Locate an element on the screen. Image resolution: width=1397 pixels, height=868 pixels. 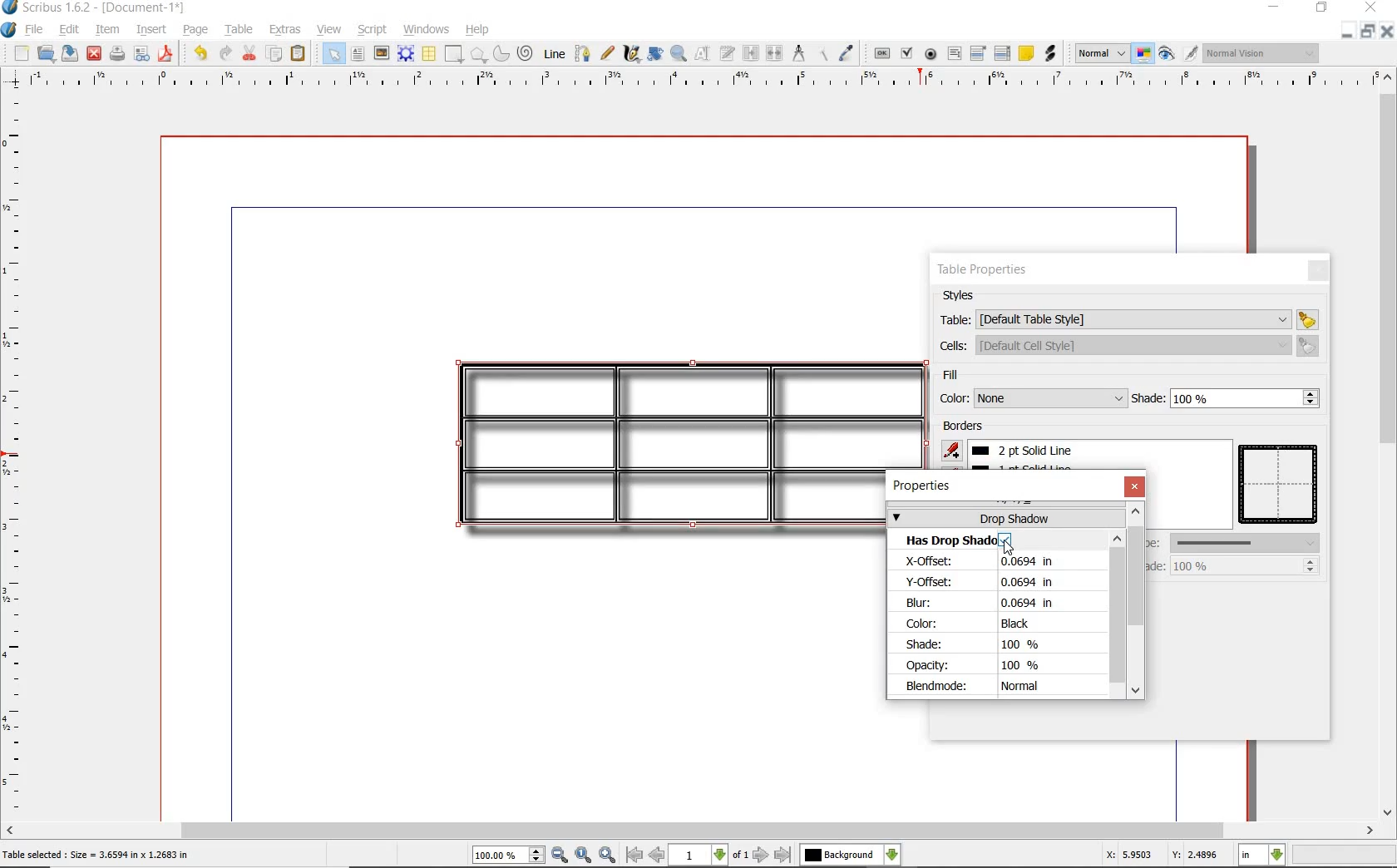
table is located at coordinates (239, 30).